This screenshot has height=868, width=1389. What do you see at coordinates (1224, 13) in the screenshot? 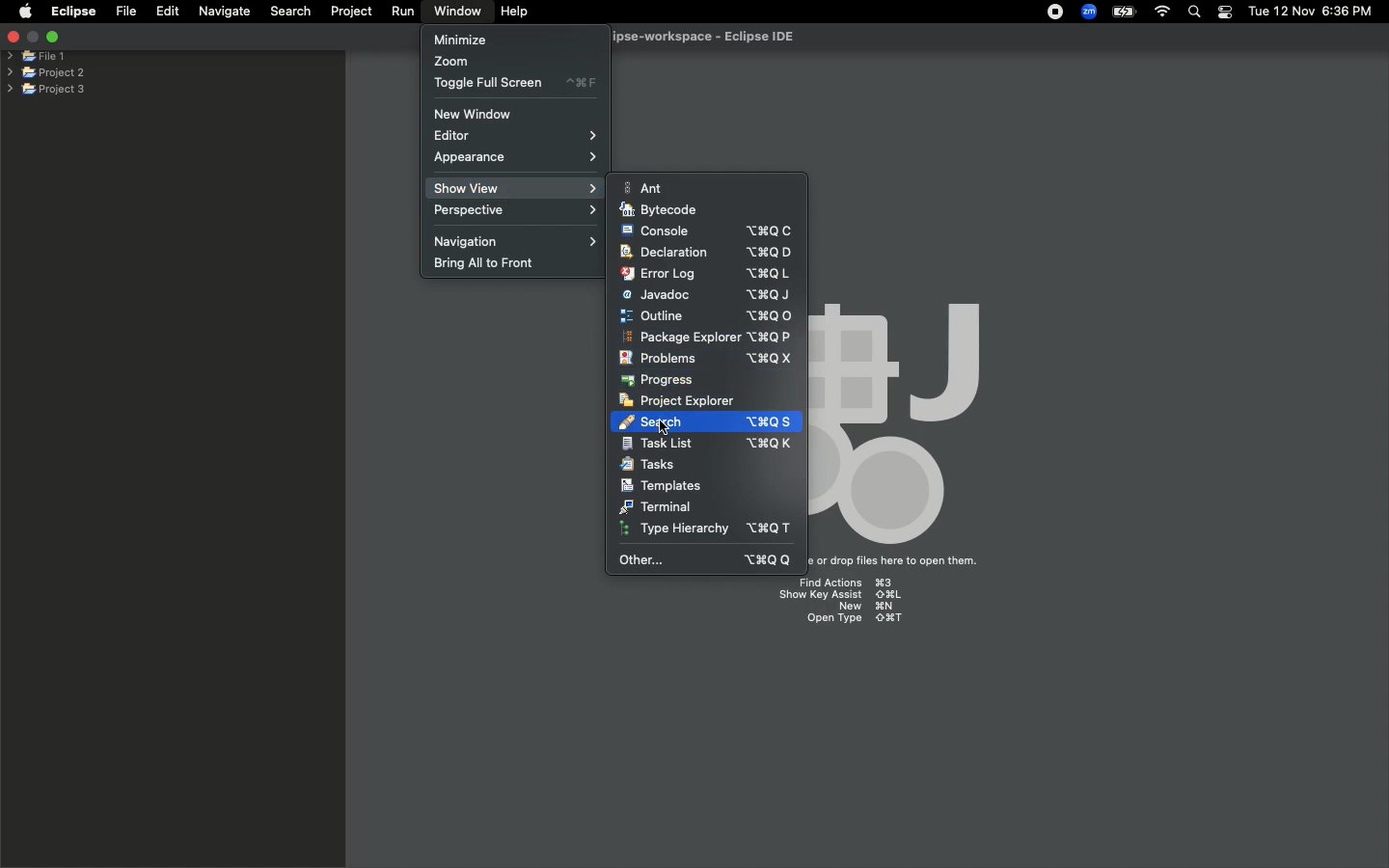
I see `Notification` at bounding box center [1224, 13].